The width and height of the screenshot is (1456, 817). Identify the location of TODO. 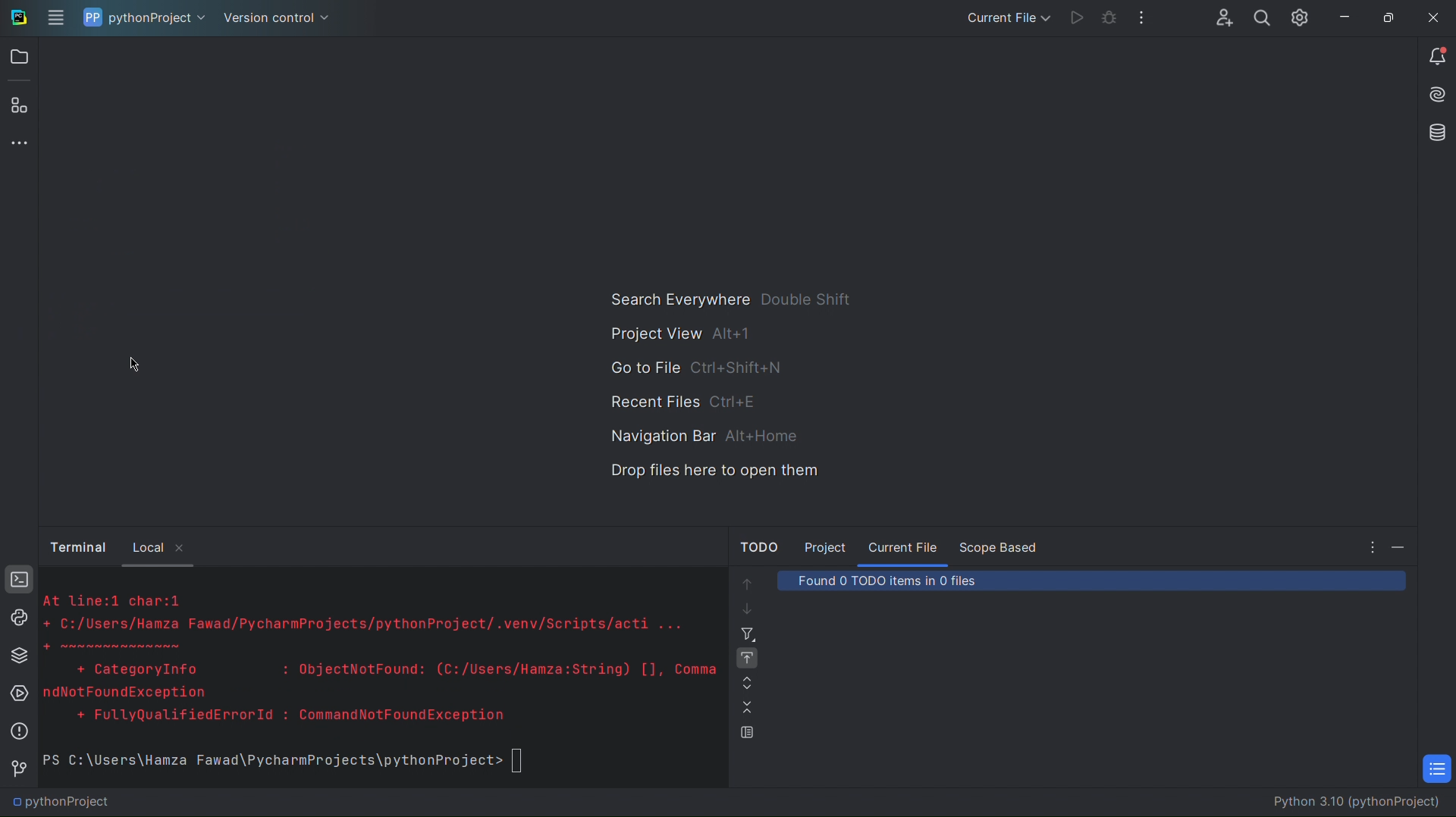
(1436, 769).